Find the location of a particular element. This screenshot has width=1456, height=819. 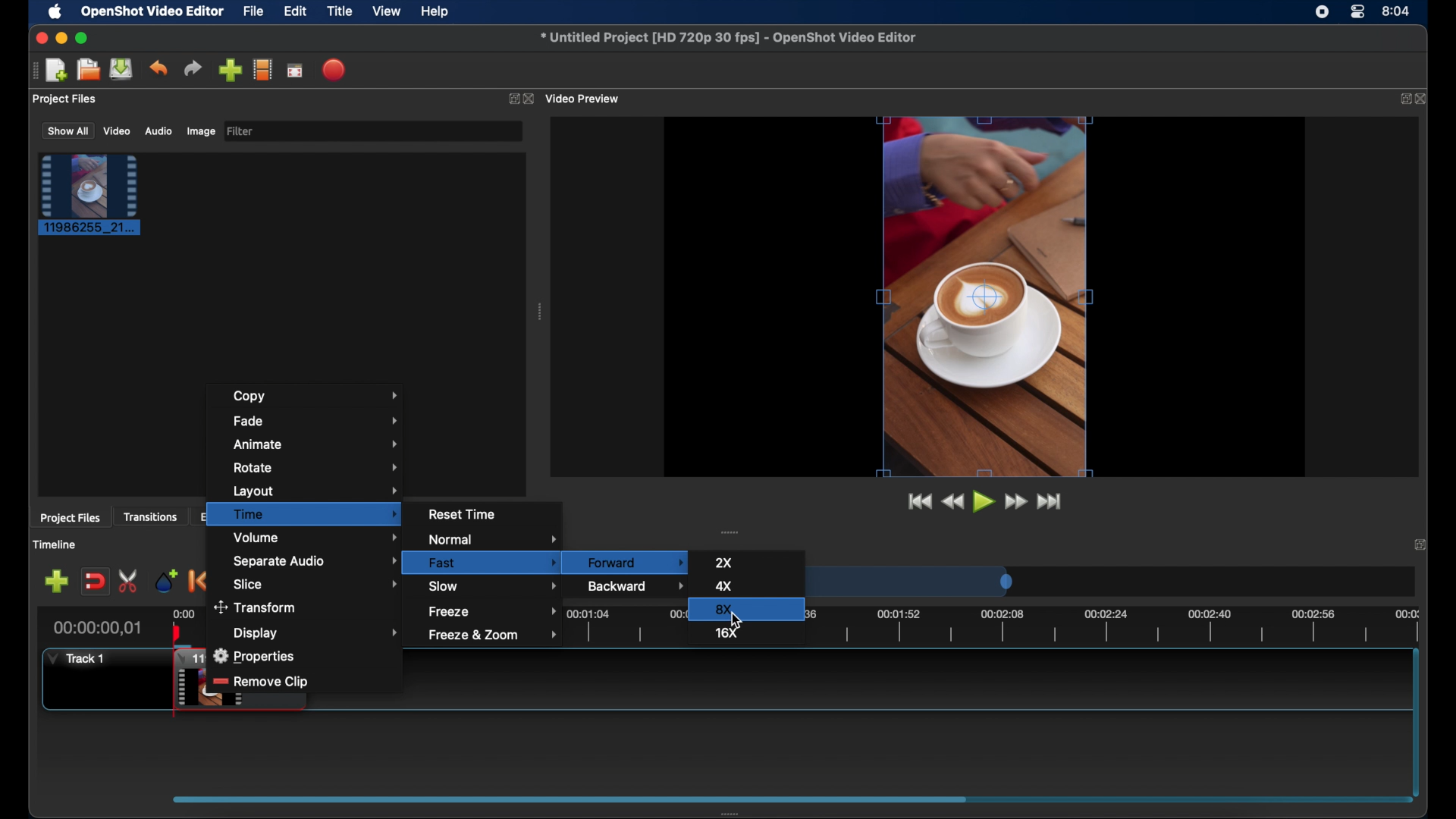

project file is located at coordinates (90, 195).